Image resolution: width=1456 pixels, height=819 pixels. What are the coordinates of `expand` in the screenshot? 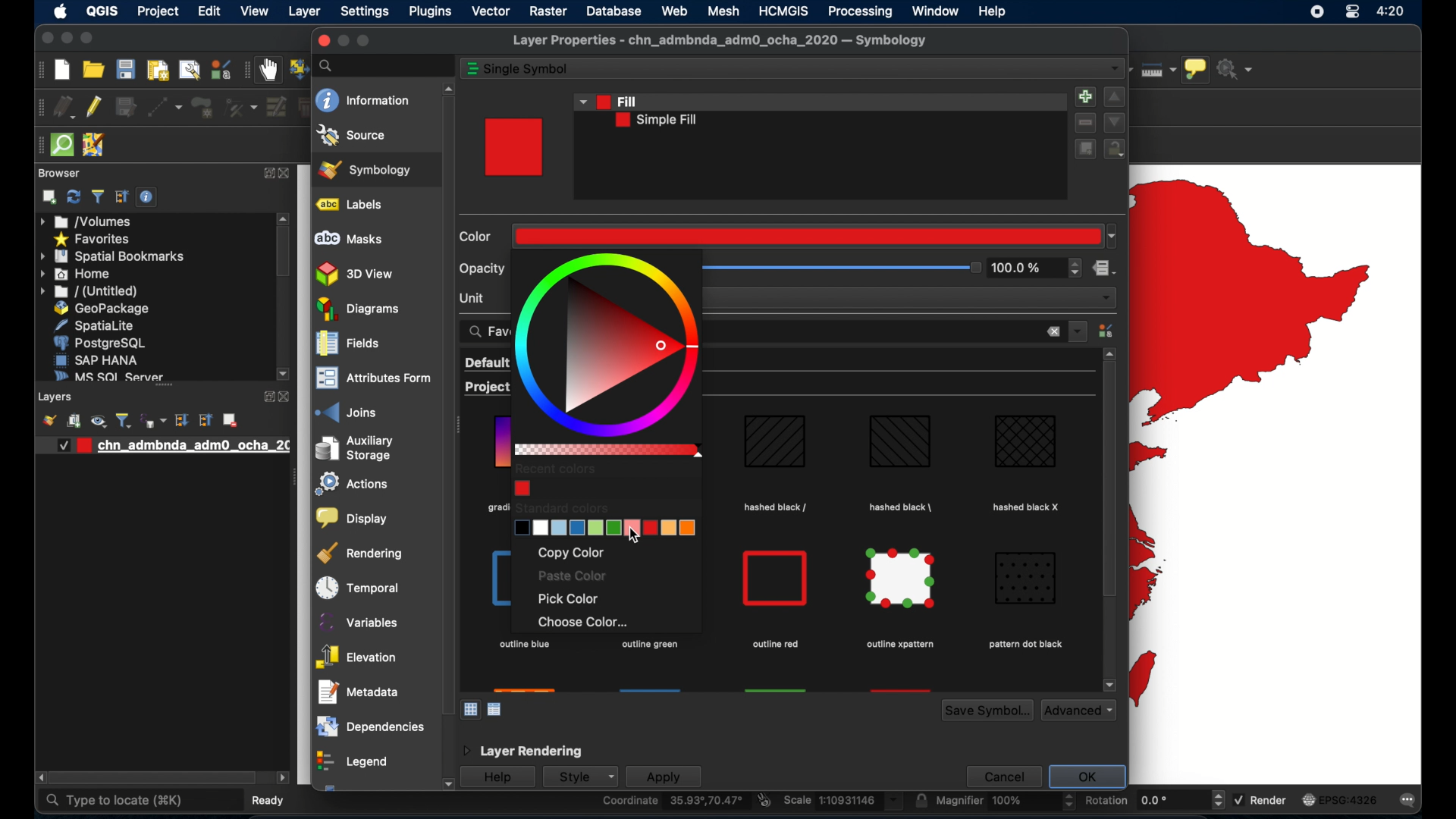 It's located at (181, 420).